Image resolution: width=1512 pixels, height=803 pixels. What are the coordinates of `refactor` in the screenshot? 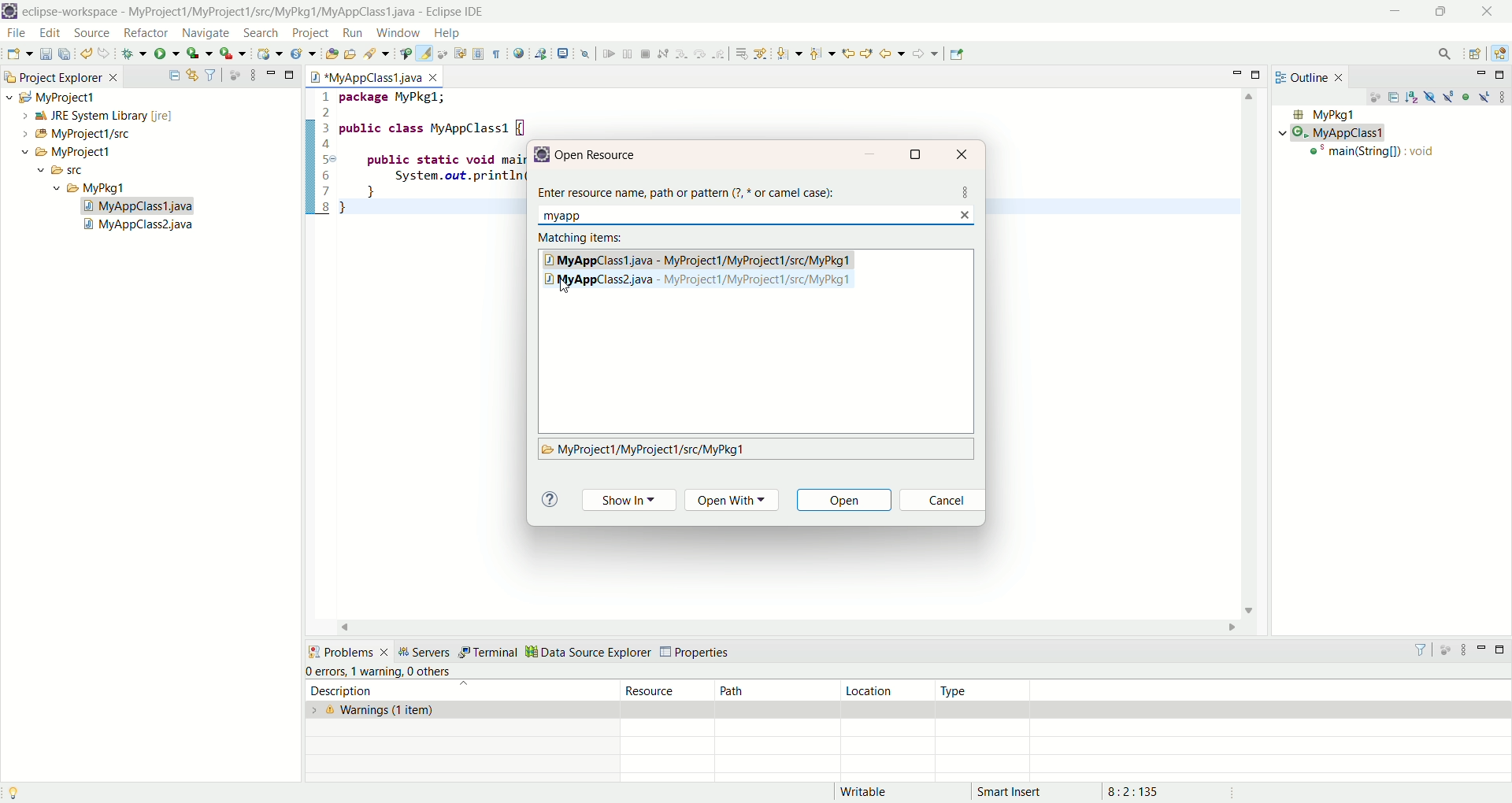 It's located at (145, 35).